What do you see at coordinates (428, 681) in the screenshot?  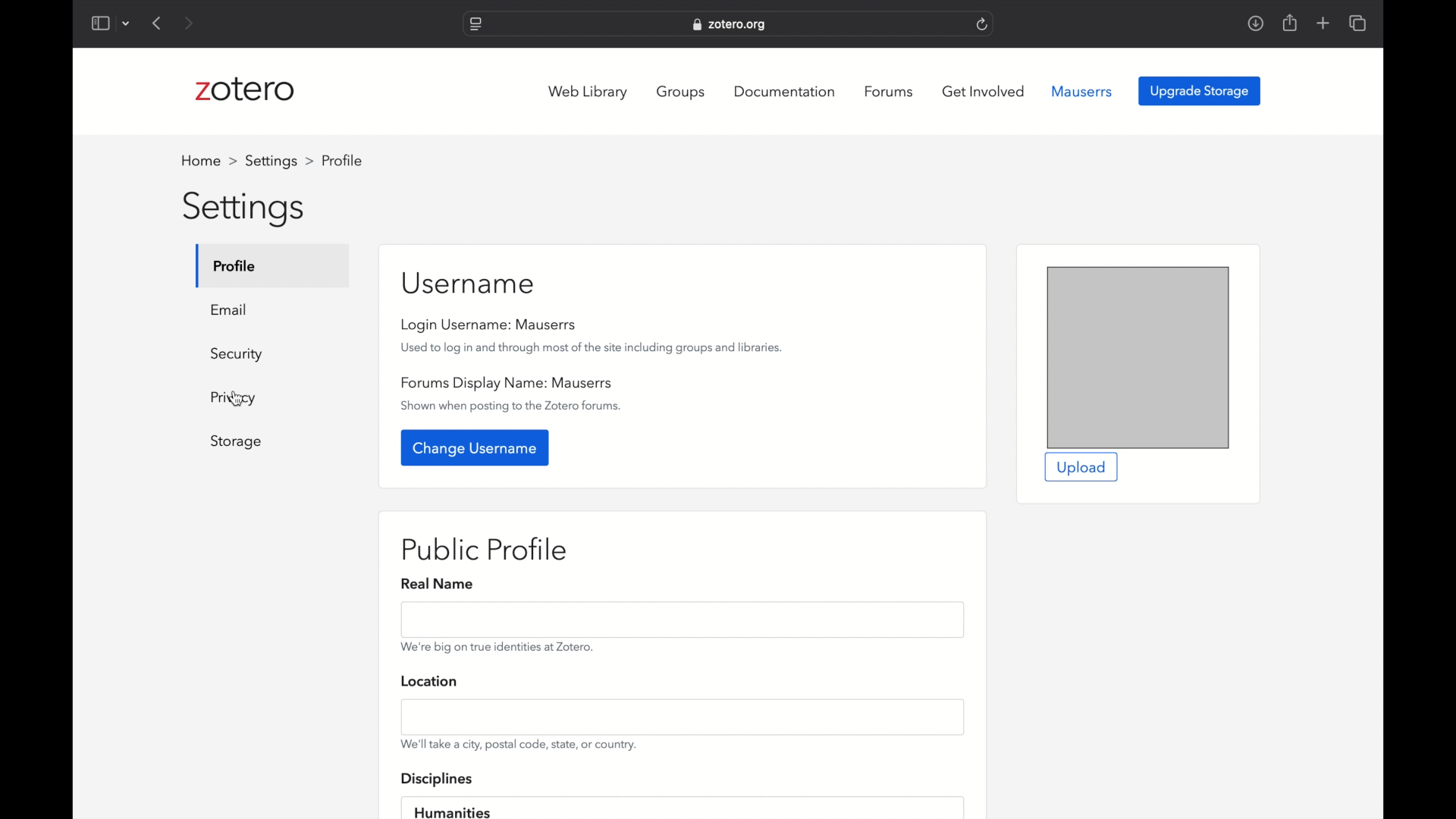 I see `location` at bounding box center [428, 681].